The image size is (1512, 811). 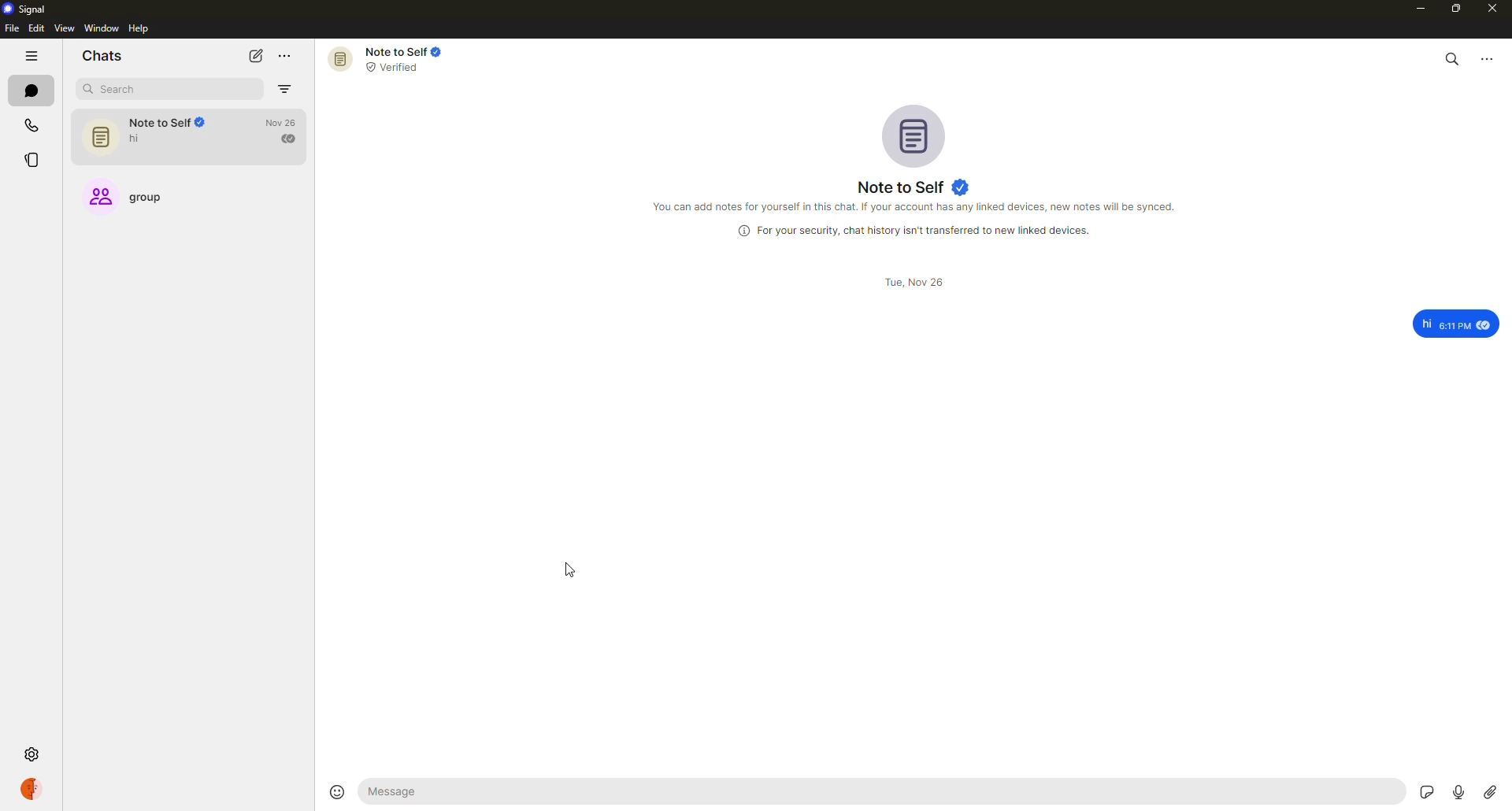 I want to click on hide tabs, so click(x=31, y=57).